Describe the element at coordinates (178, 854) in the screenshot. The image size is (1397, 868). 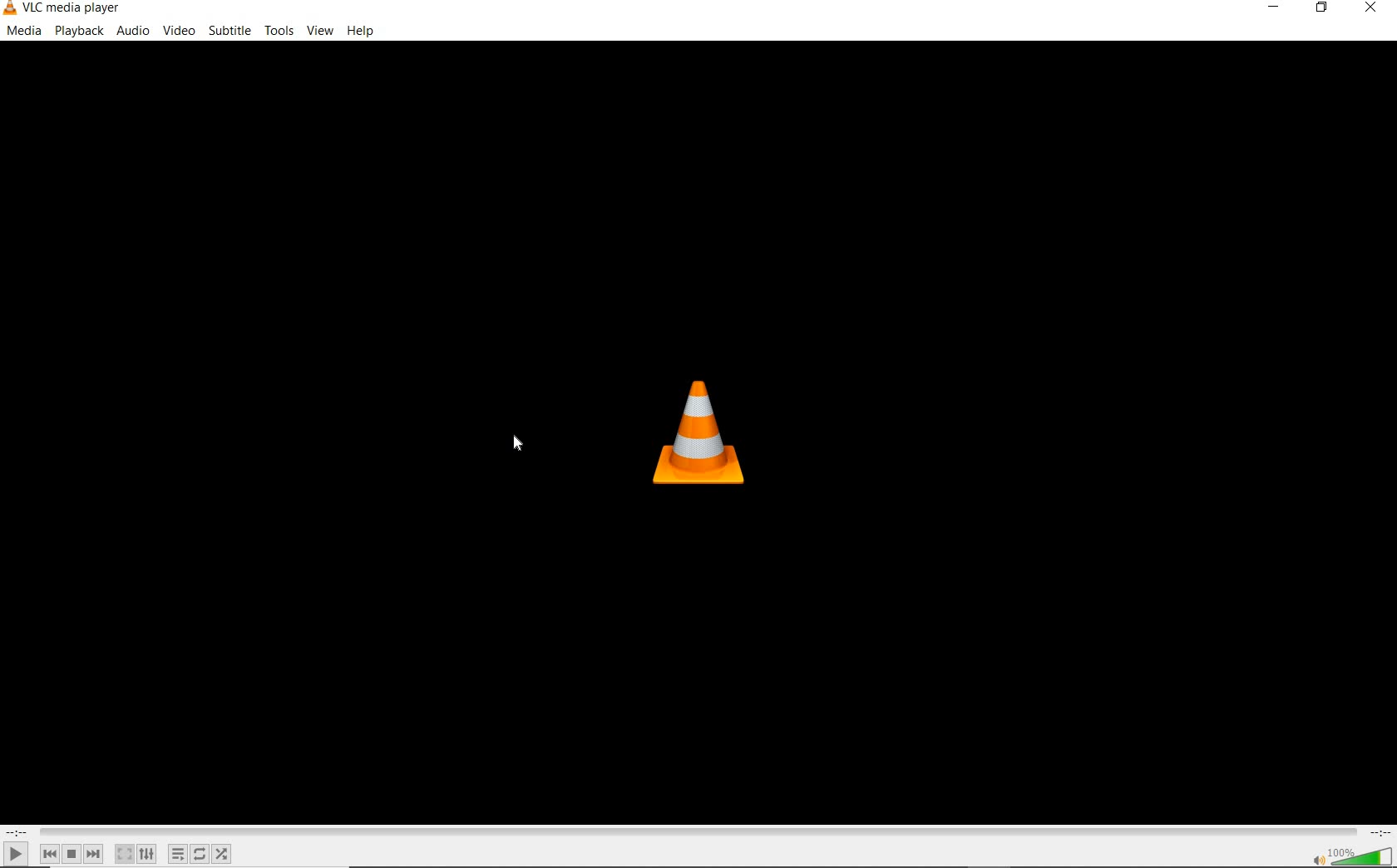
I see `toggle playlist` at that location.